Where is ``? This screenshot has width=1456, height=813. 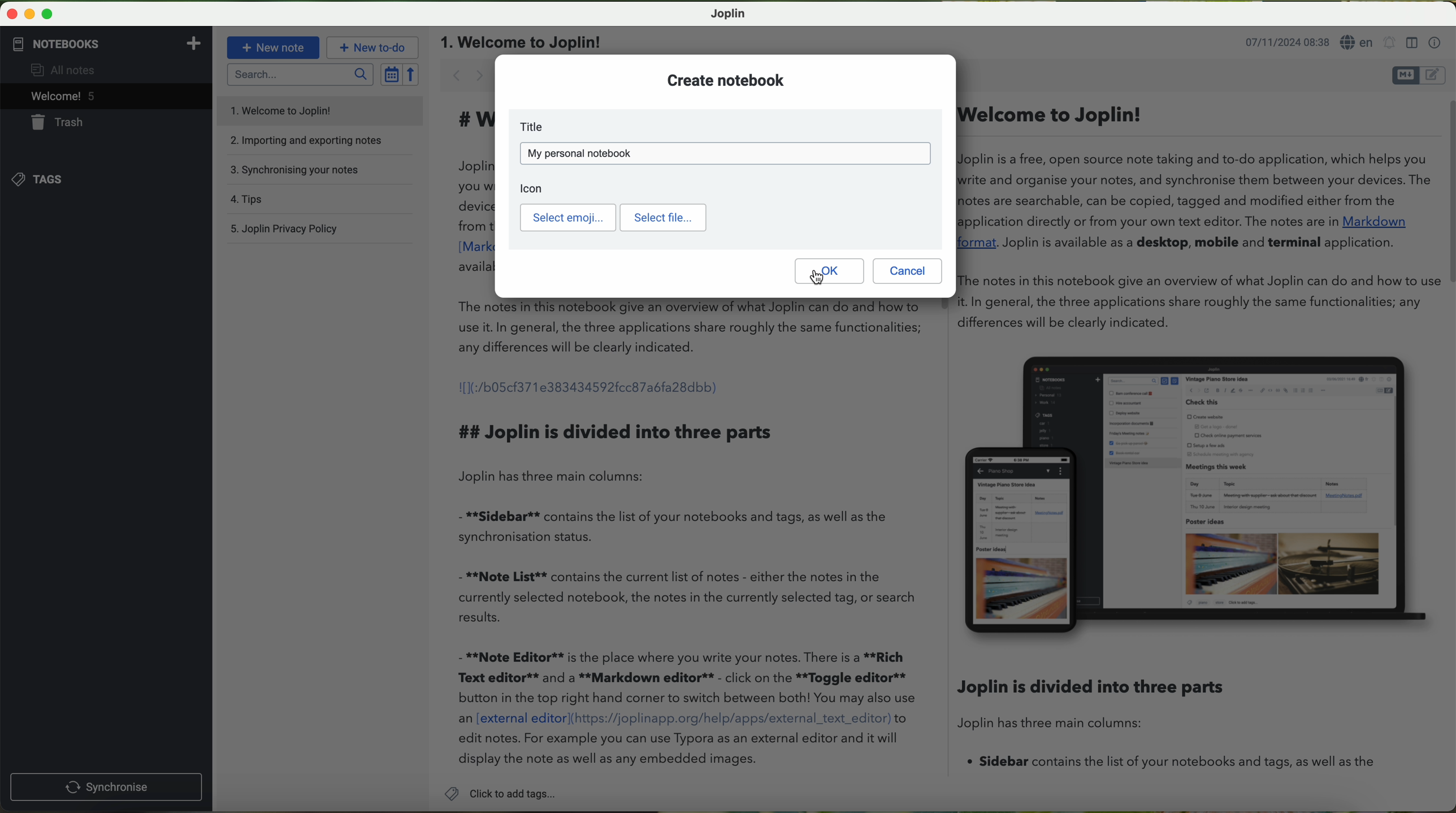
 is located at coordinates (391, 75).